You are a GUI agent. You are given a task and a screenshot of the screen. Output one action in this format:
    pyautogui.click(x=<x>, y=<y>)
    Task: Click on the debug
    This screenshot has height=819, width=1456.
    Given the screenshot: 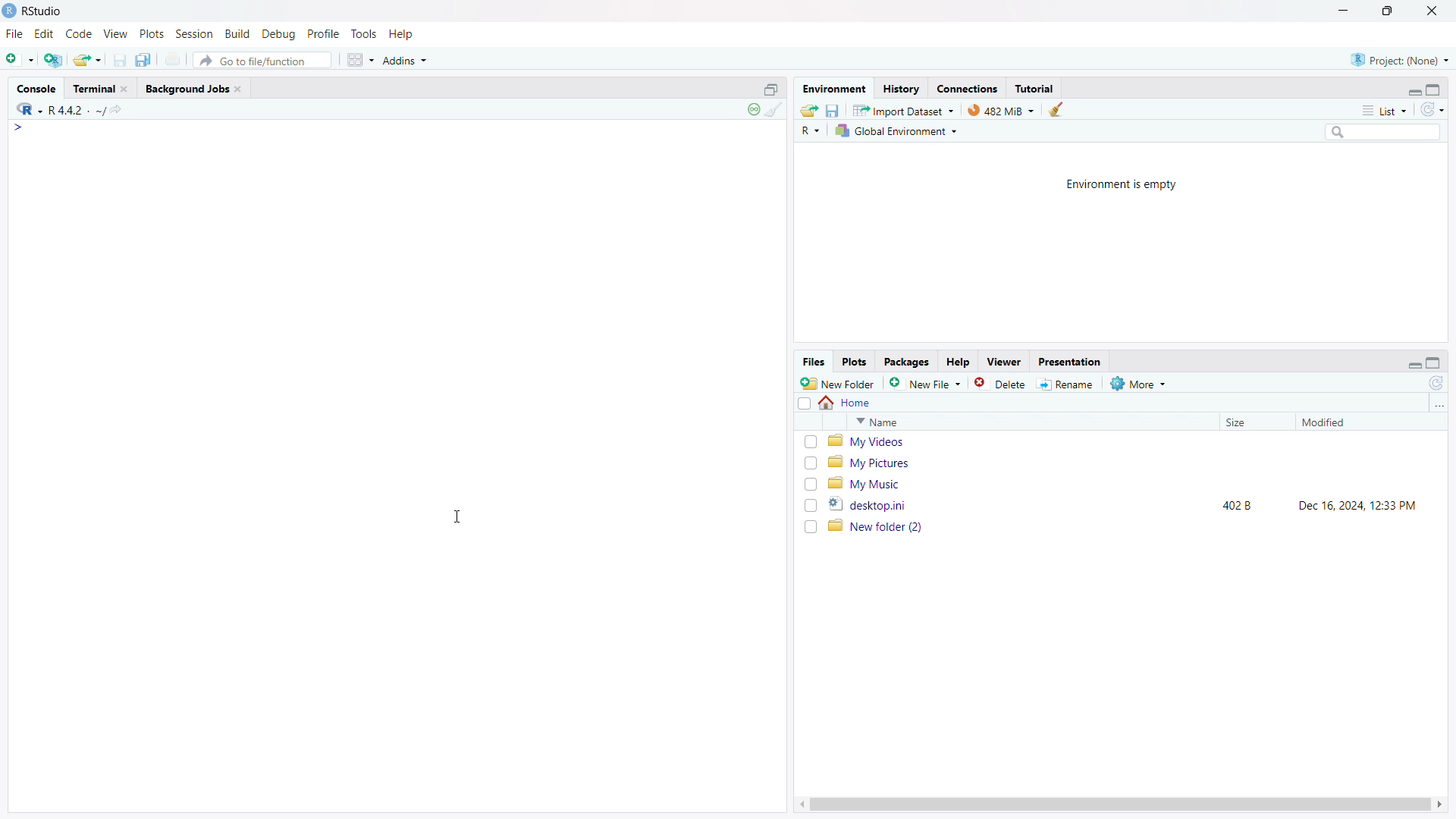 What is the action you would take?
    pyautogui.click(x=279, y=34)
    